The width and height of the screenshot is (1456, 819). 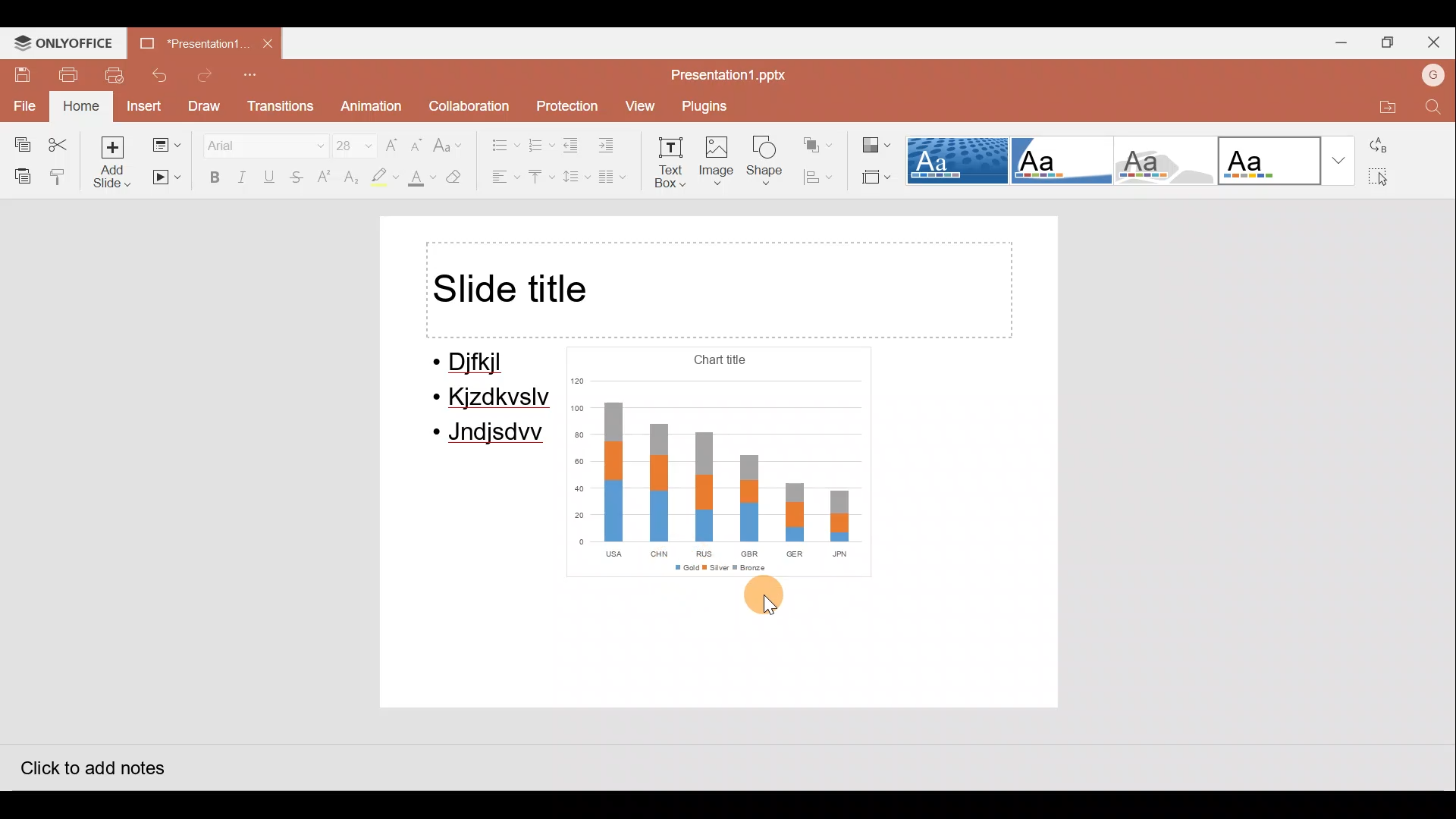 What do you see at coordinates (1386, 145) in the screenshot?
I see `Replace` at bounding box center [1386, 145].